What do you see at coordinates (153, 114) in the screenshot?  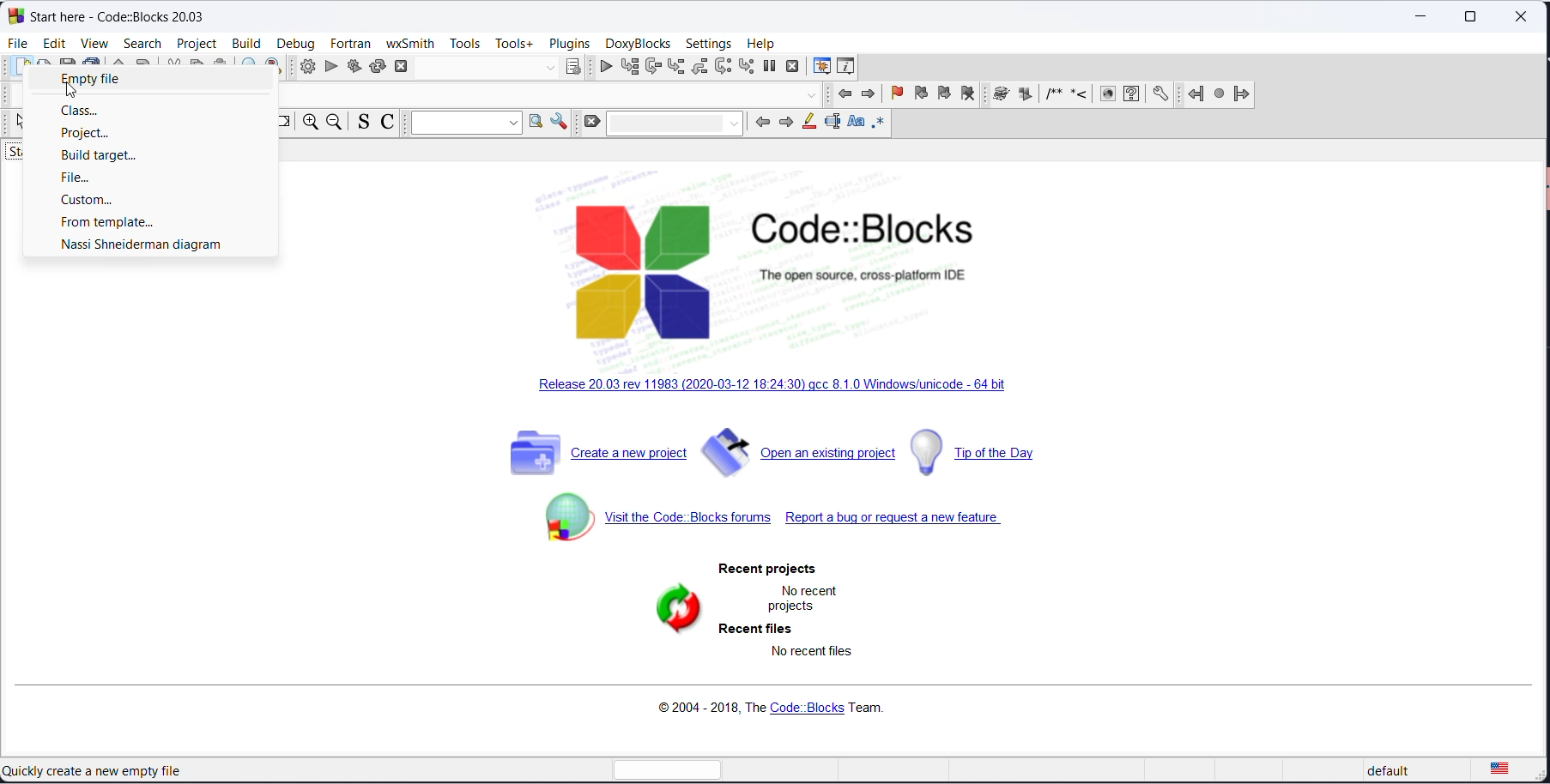 I see `class` at bounding box center [153, 114].